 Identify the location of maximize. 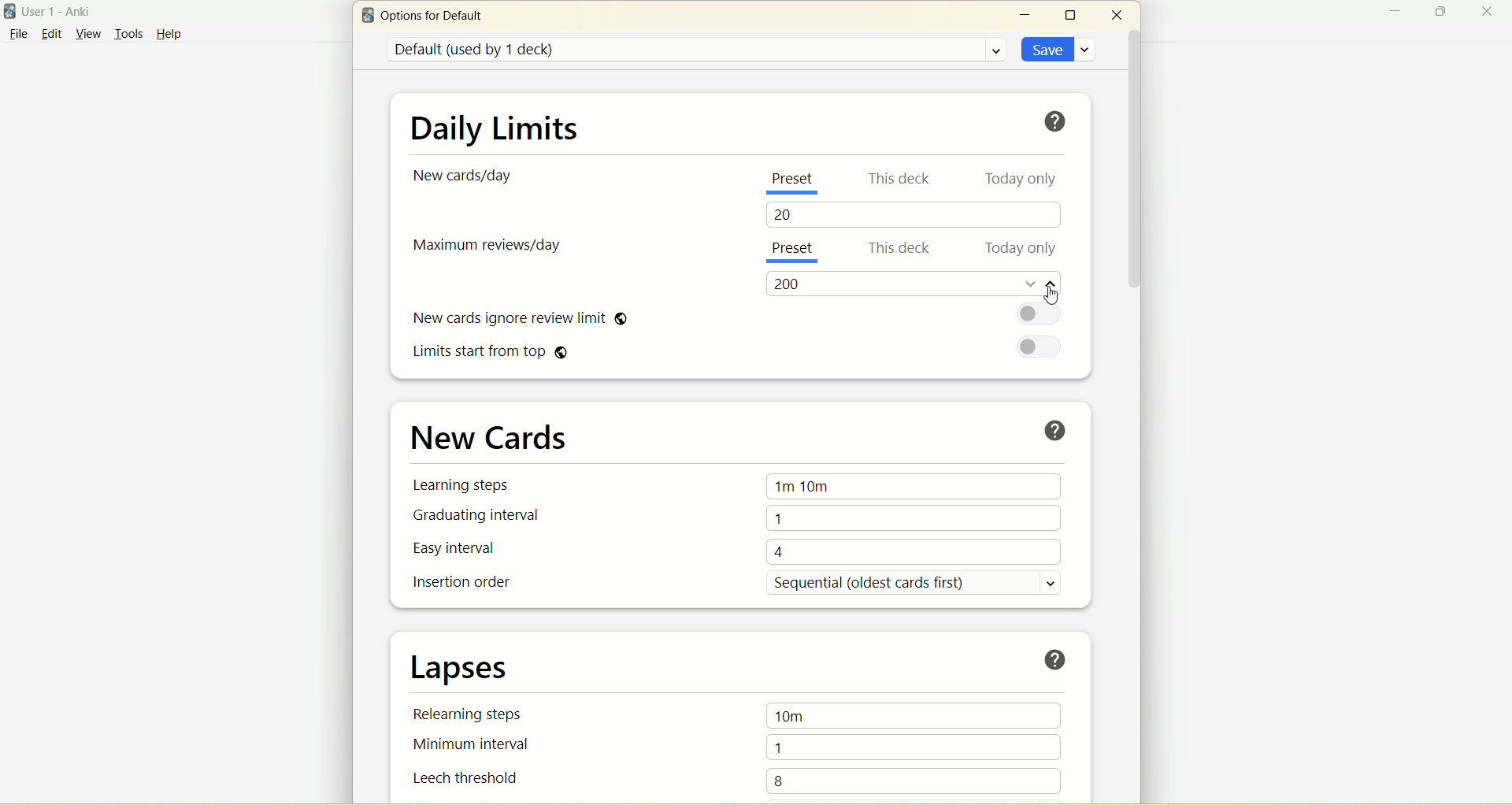
(1073, 13).